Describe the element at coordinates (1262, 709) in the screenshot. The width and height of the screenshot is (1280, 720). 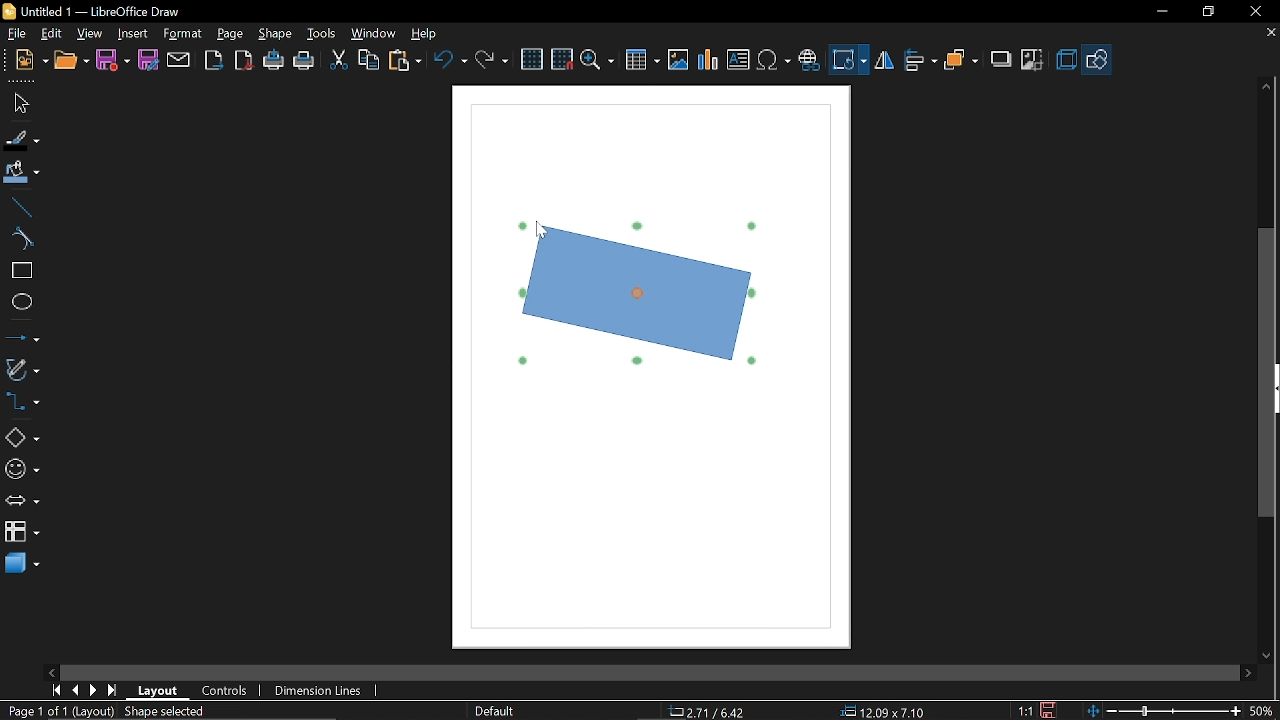
I see `50%` at that location.